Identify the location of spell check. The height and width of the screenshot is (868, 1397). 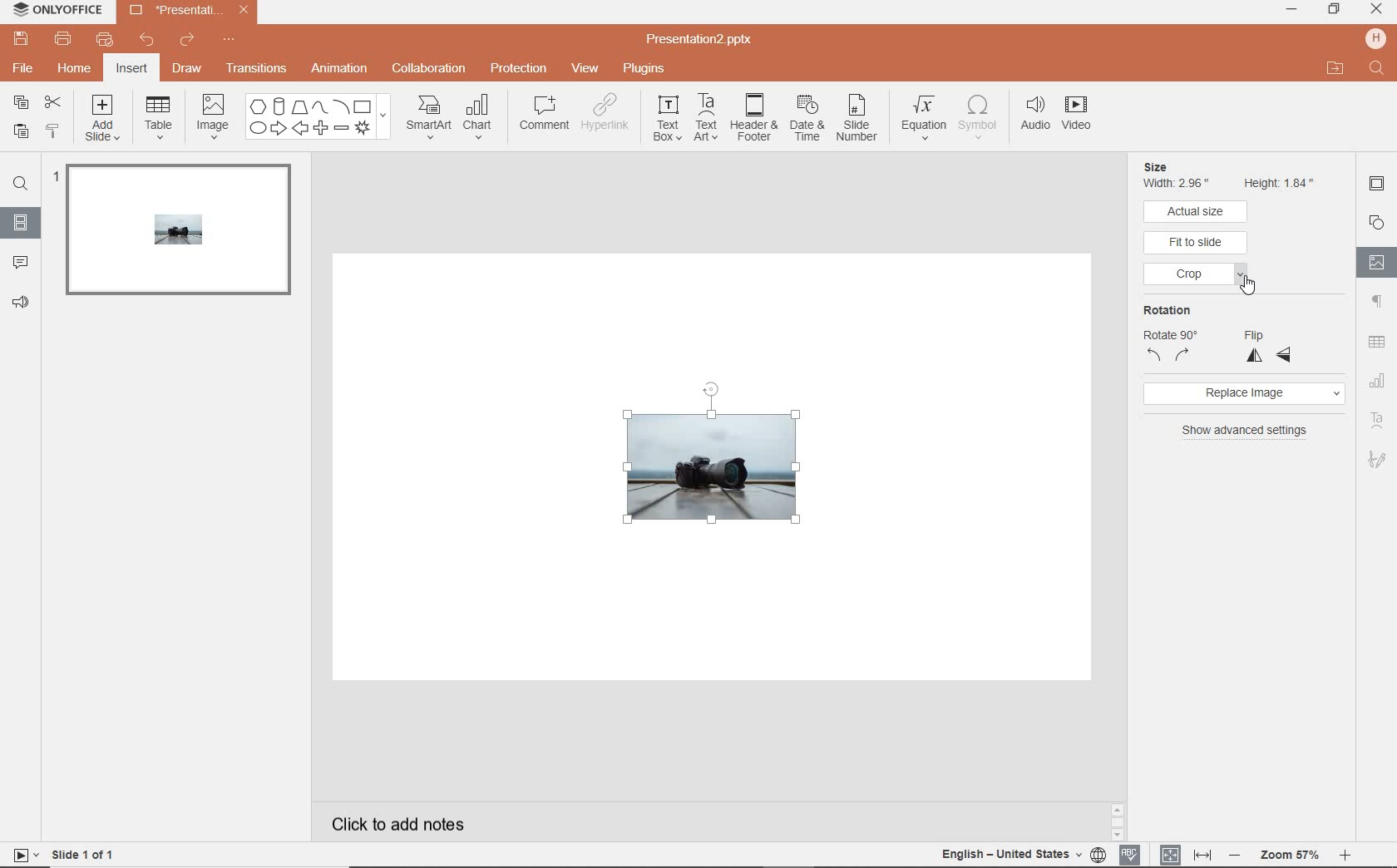
(1132, 855).